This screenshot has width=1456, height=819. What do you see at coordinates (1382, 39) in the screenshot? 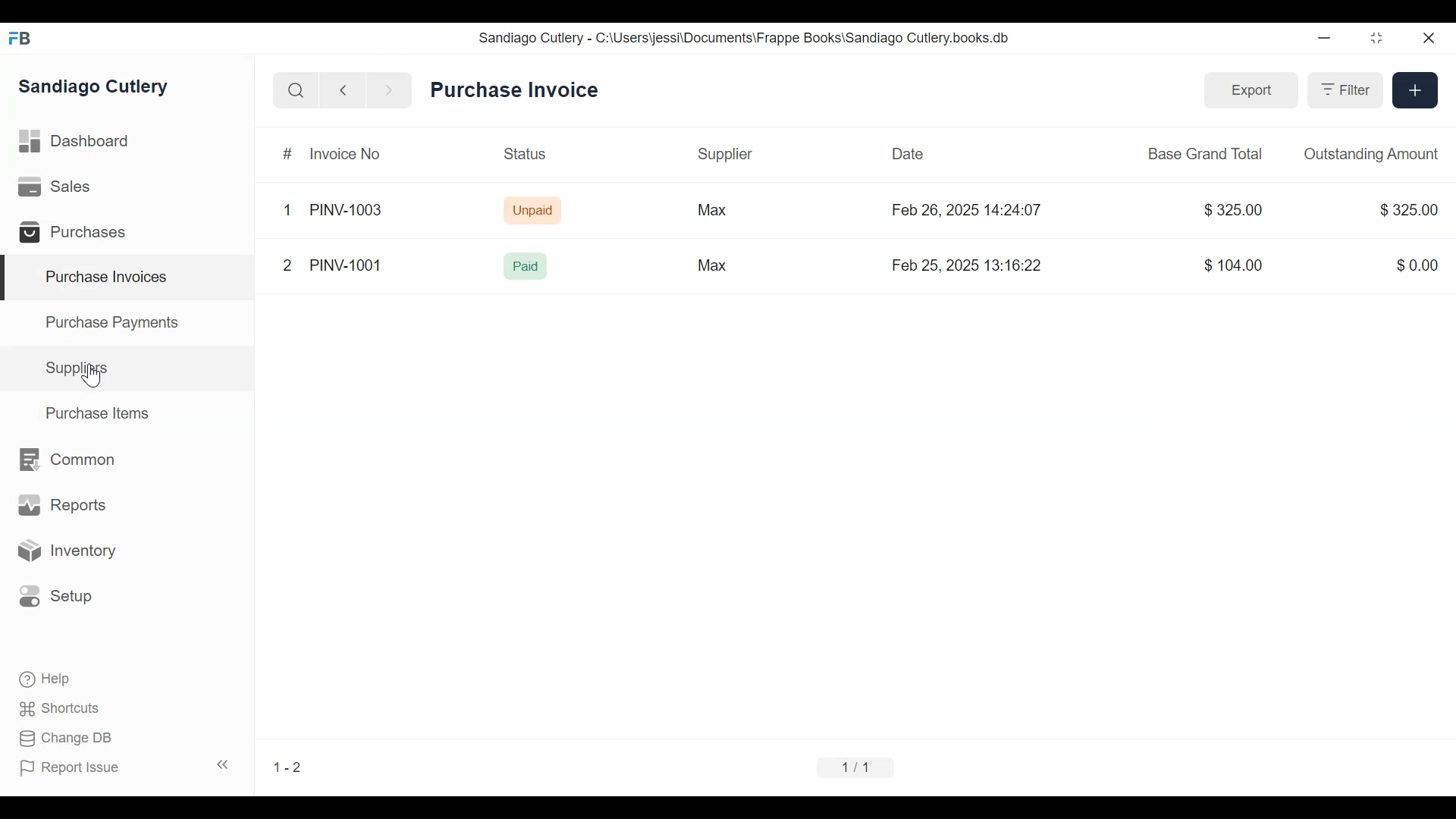
I see `maximize` at bounding box center [1382, 39].